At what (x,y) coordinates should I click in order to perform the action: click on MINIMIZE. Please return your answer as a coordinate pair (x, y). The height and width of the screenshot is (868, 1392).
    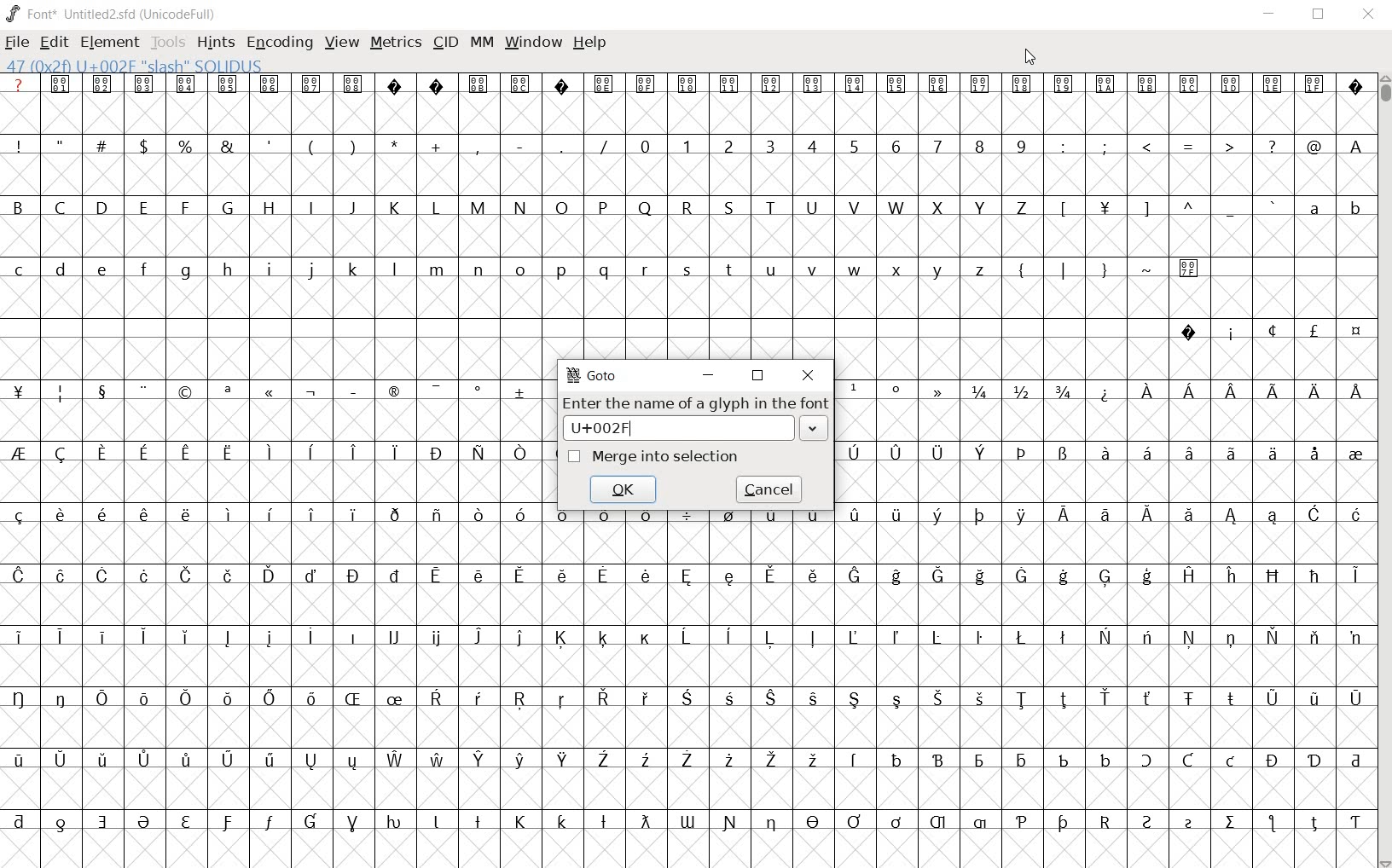
    Looking at the image, I should click on (1268, 16).